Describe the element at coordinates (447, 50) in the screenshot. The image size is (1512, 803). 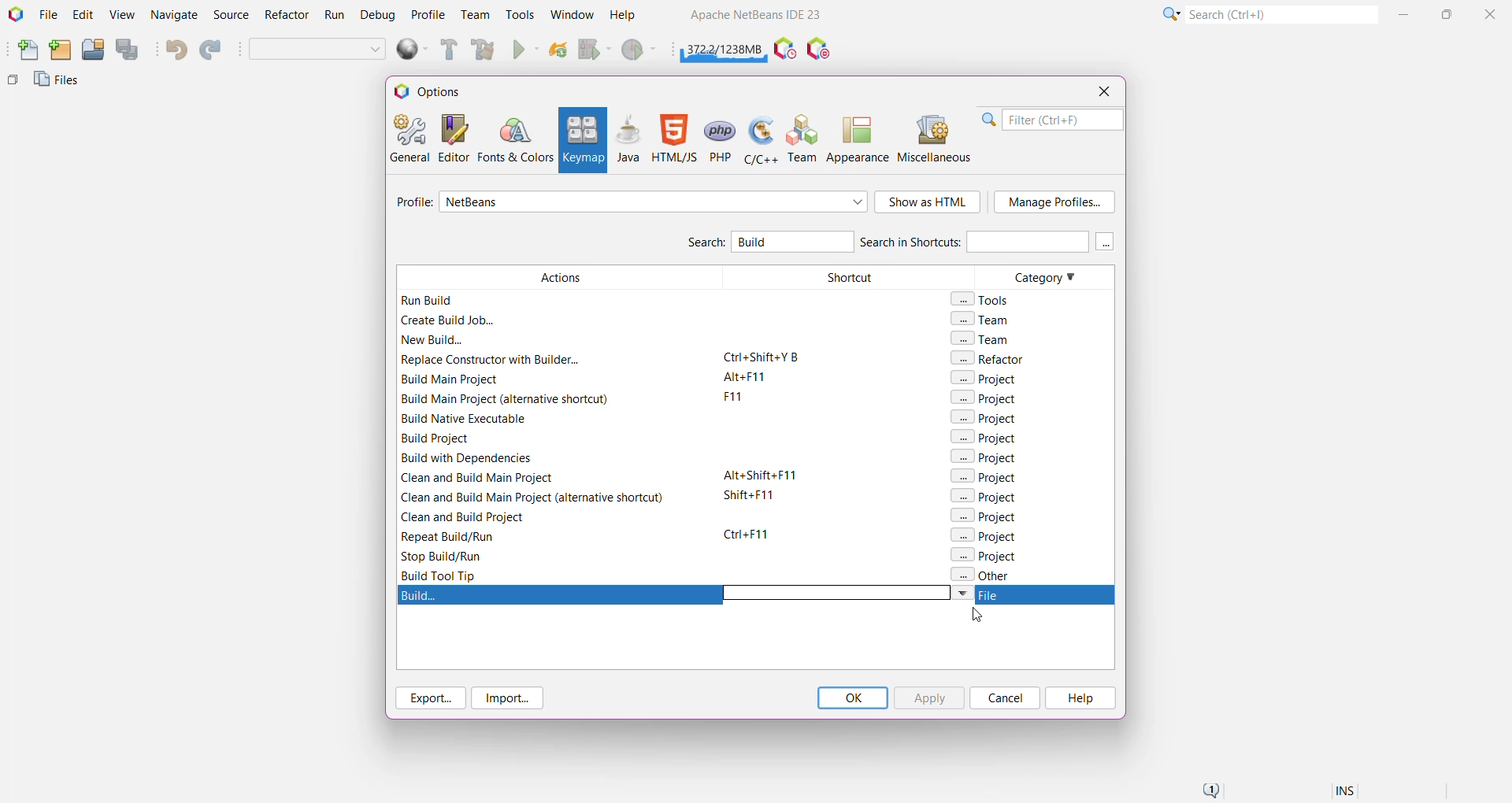
I see `Build Main Project` at that location.